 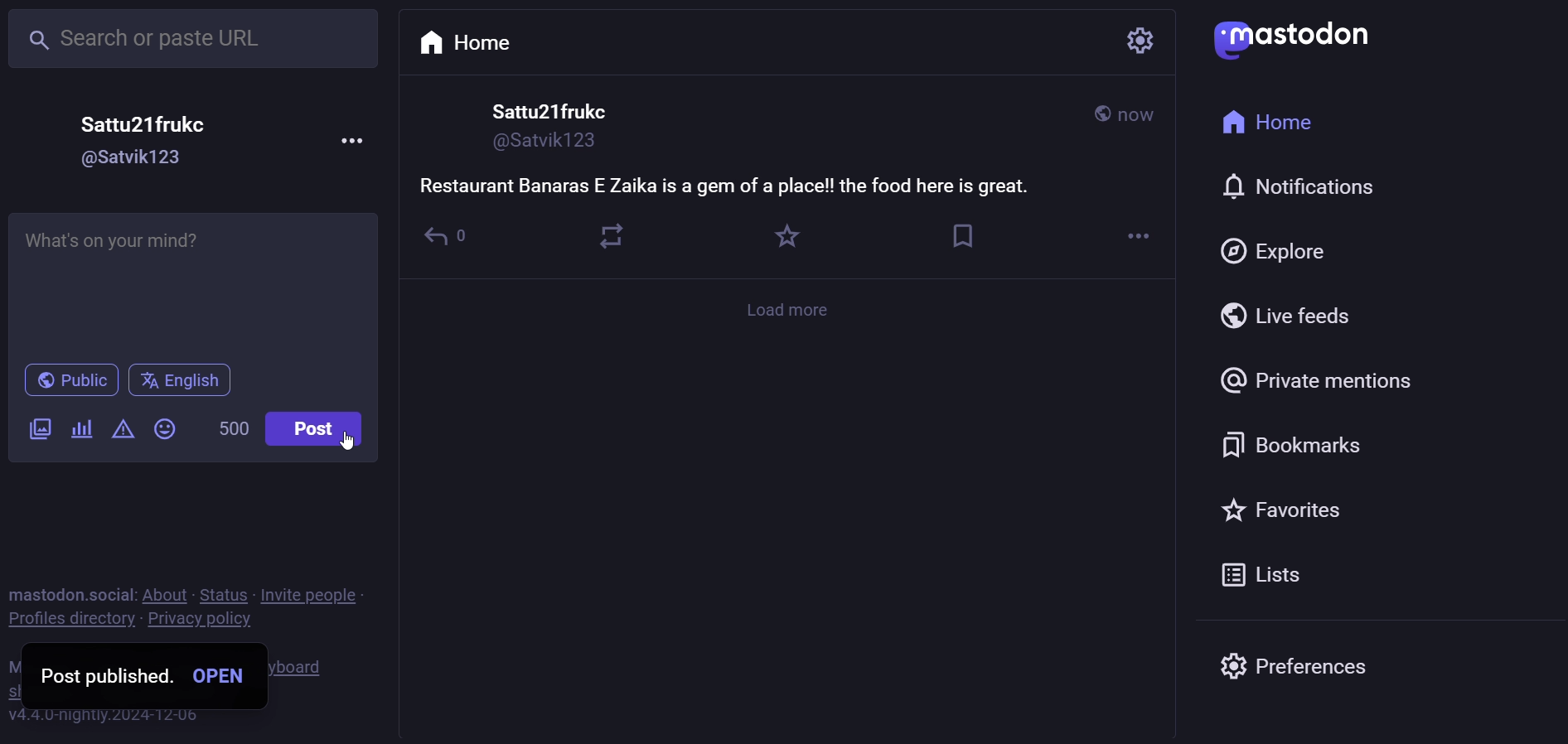 What do you see at coordinates (611, 235) in the screenshot?
I see `boost` at bounding box center [611, 235].